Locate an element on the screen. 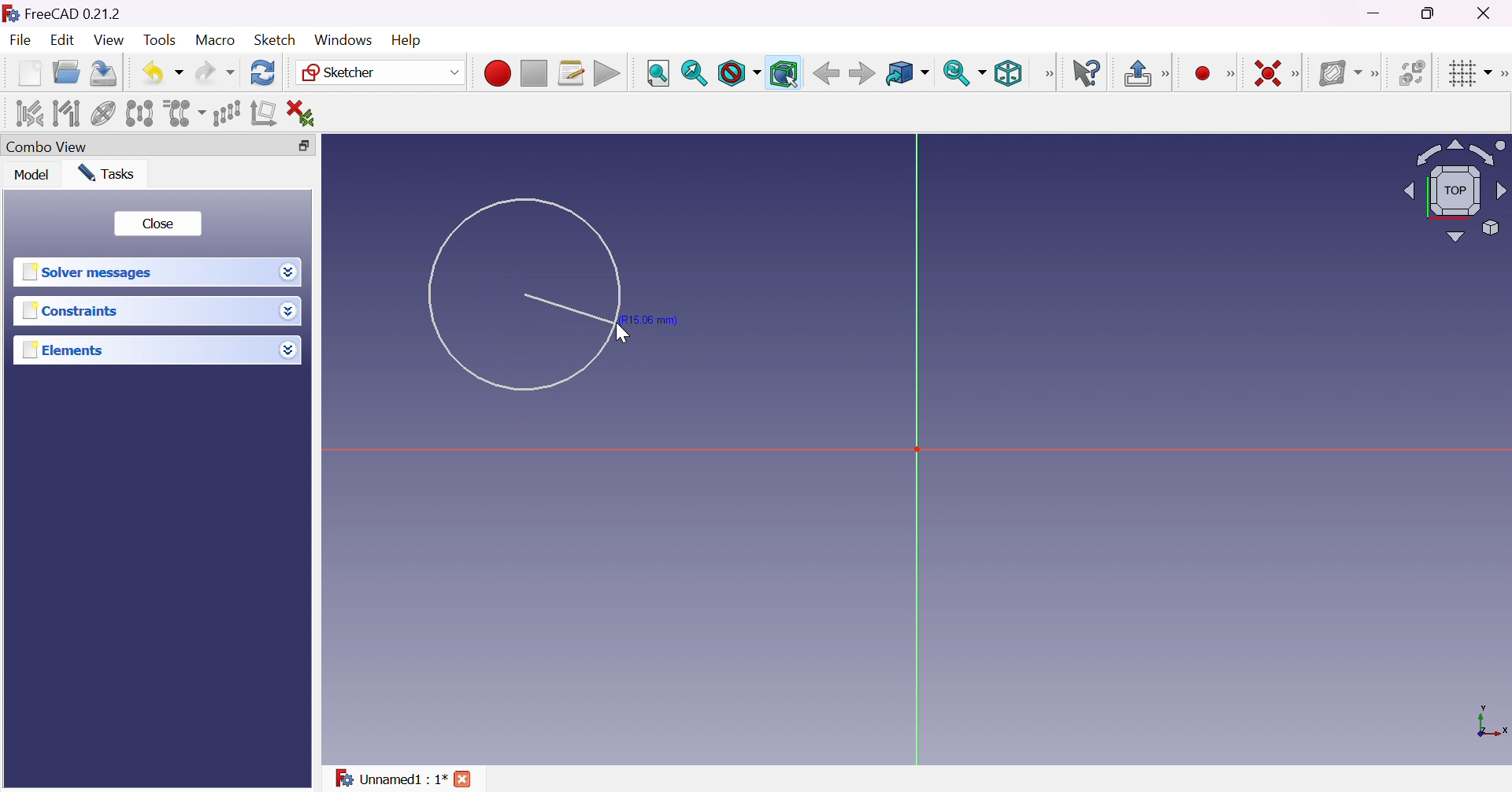  Execute macro is located at coordinates (607, 76).